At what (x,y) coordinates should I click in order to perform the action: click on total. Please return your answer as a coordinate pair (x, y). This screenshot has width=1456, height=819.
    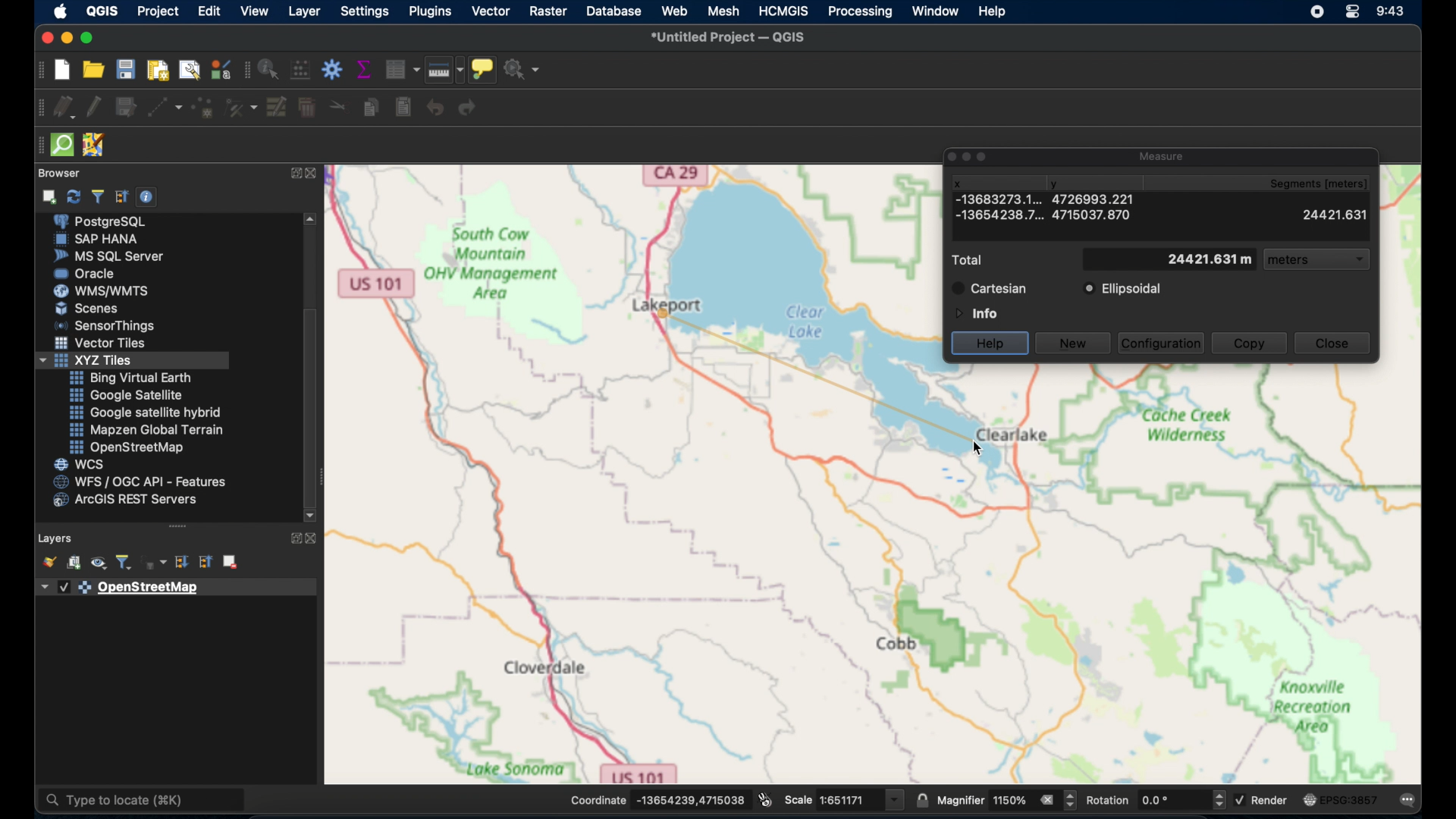
    Looking at the image, I should click on (971, 260).